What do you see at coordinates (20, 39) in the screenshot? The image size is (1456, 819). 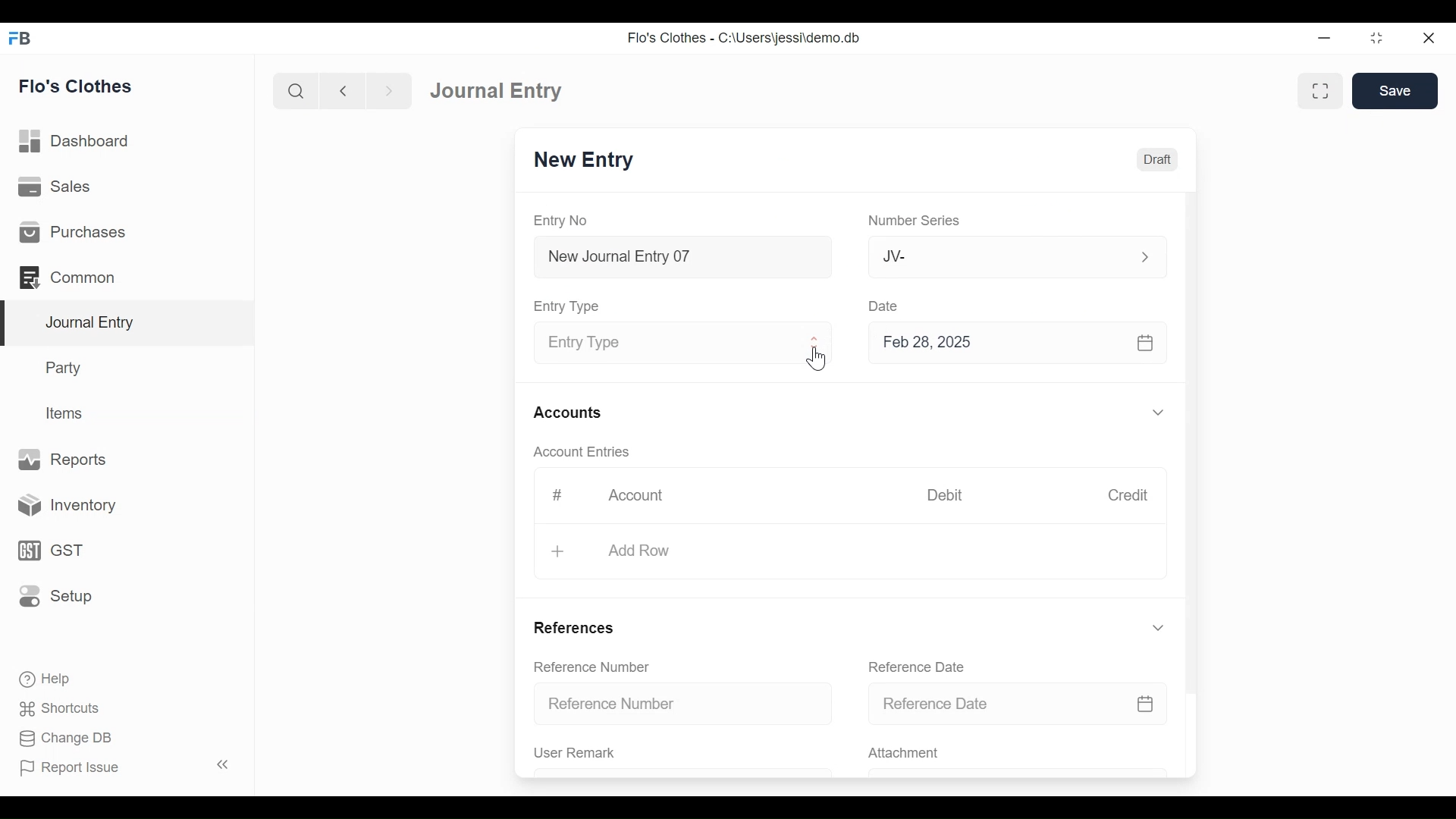 I see `Frappe Books Desktop Icon` at bounding box center [20, 39].